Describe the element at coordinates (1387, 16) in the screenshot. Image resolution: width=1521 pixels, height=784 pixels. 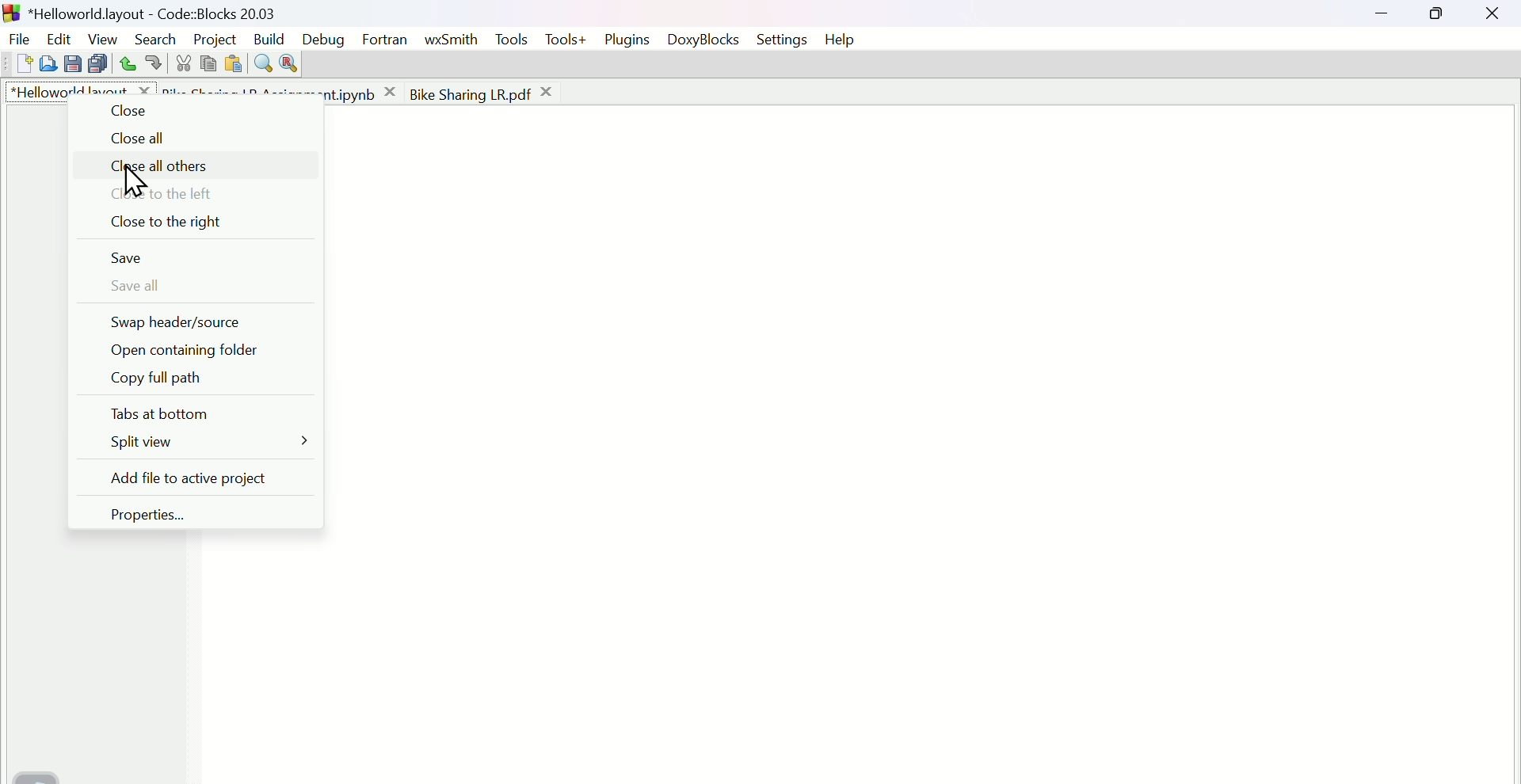
I see `minimise` at that location.